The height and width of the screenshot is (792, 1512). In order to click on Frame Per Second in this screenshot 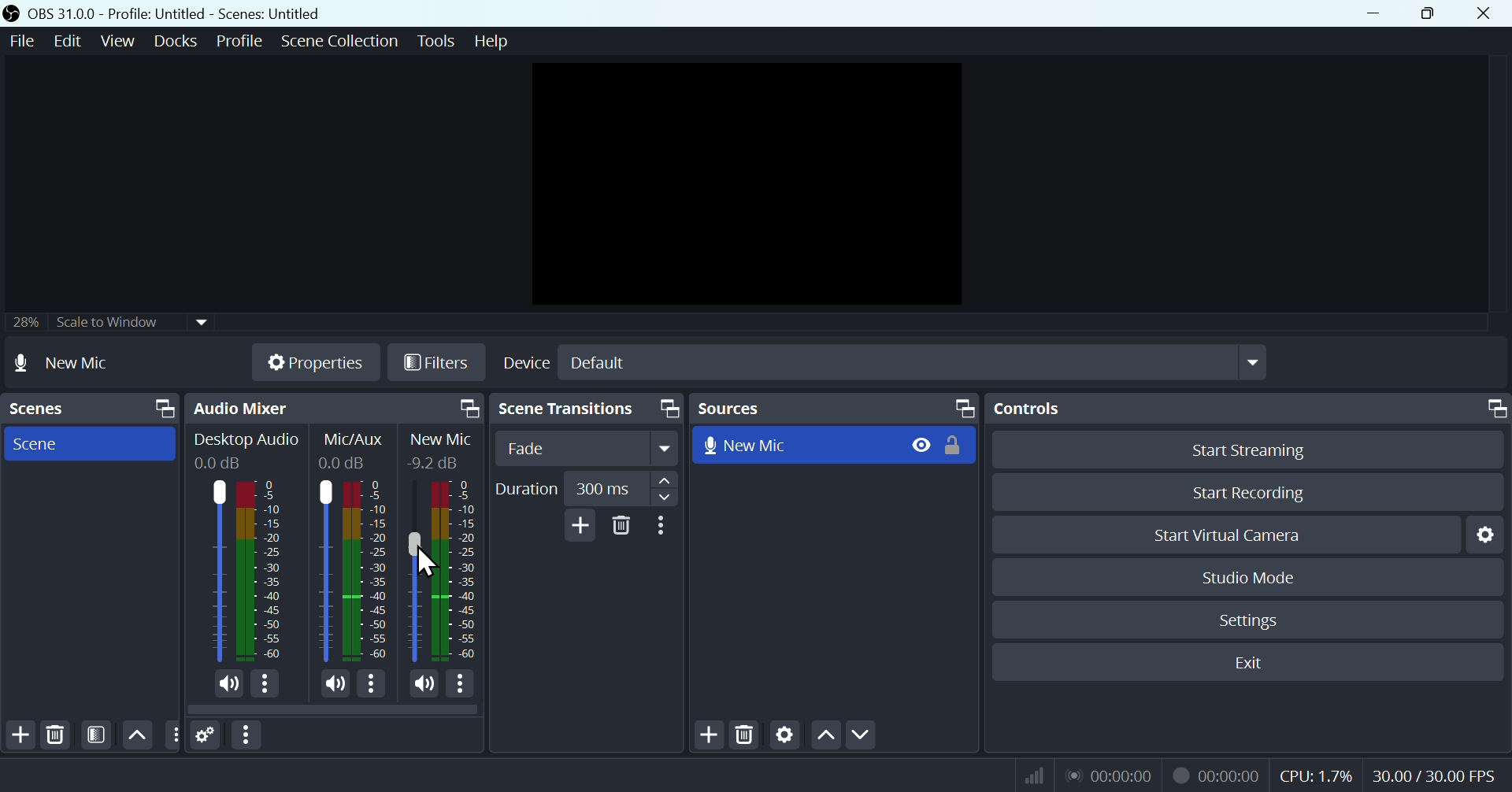, I will do `click(1434, 777)`.